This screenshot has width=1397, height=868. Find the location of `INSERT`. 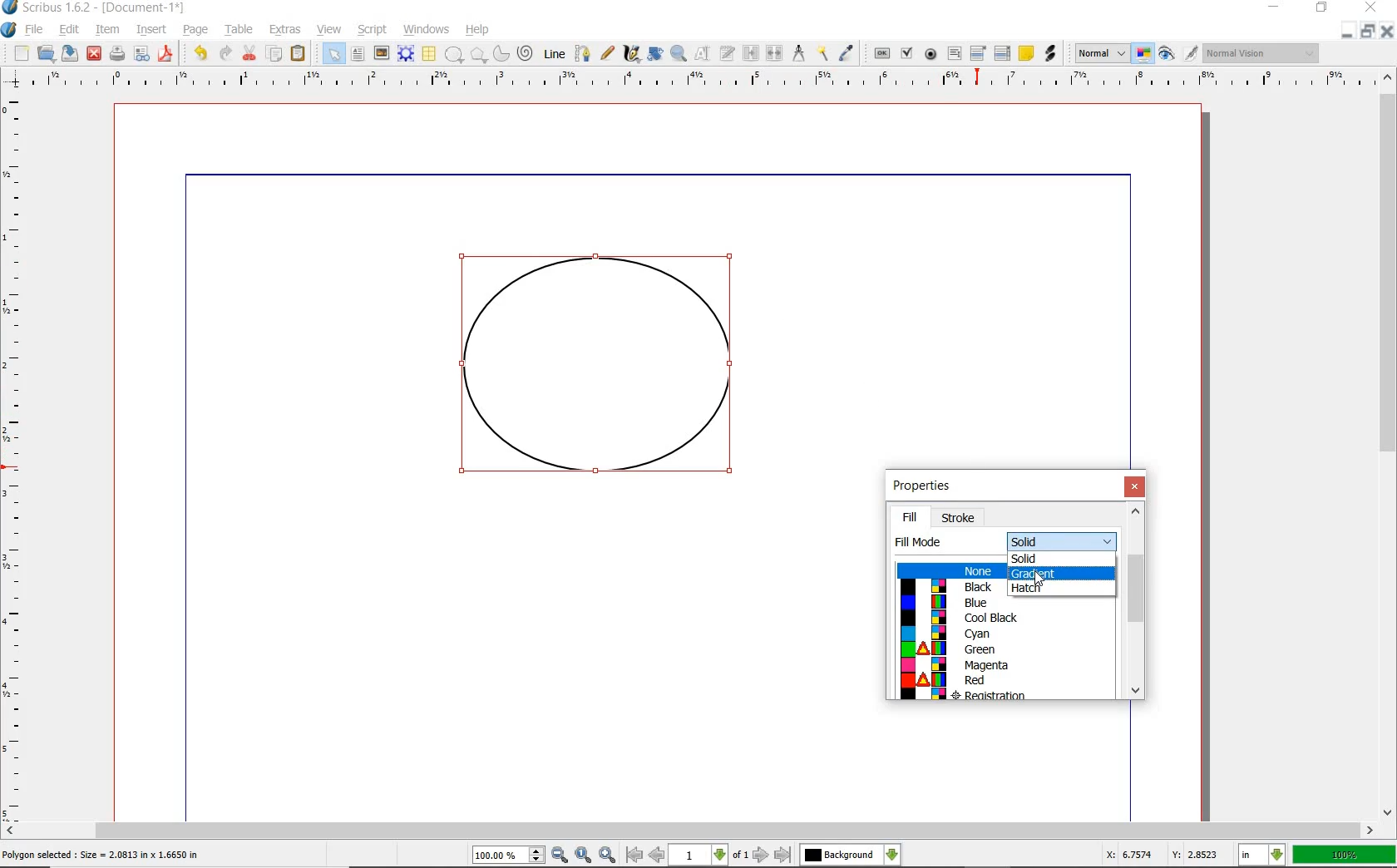

INSERT is located at coordinates (151, 30).